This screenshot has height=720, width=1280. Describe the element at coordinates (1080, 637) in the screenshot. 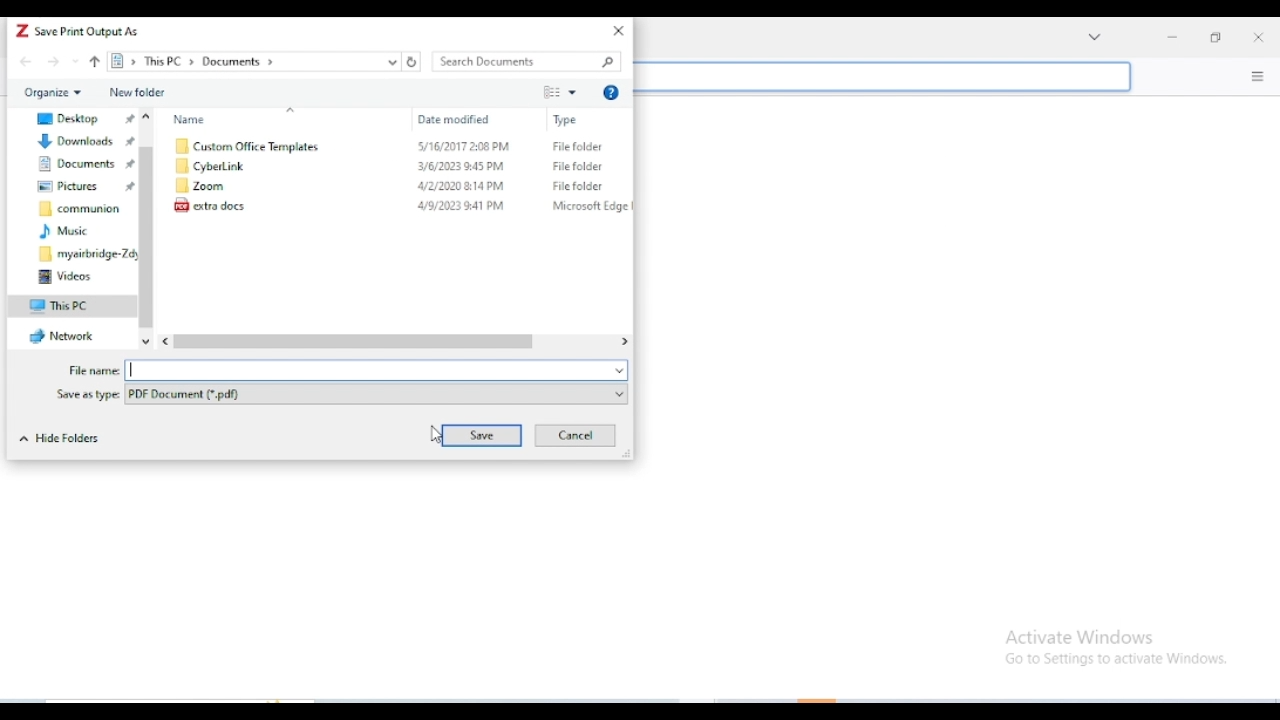

I see `Activate Windows` at that location.